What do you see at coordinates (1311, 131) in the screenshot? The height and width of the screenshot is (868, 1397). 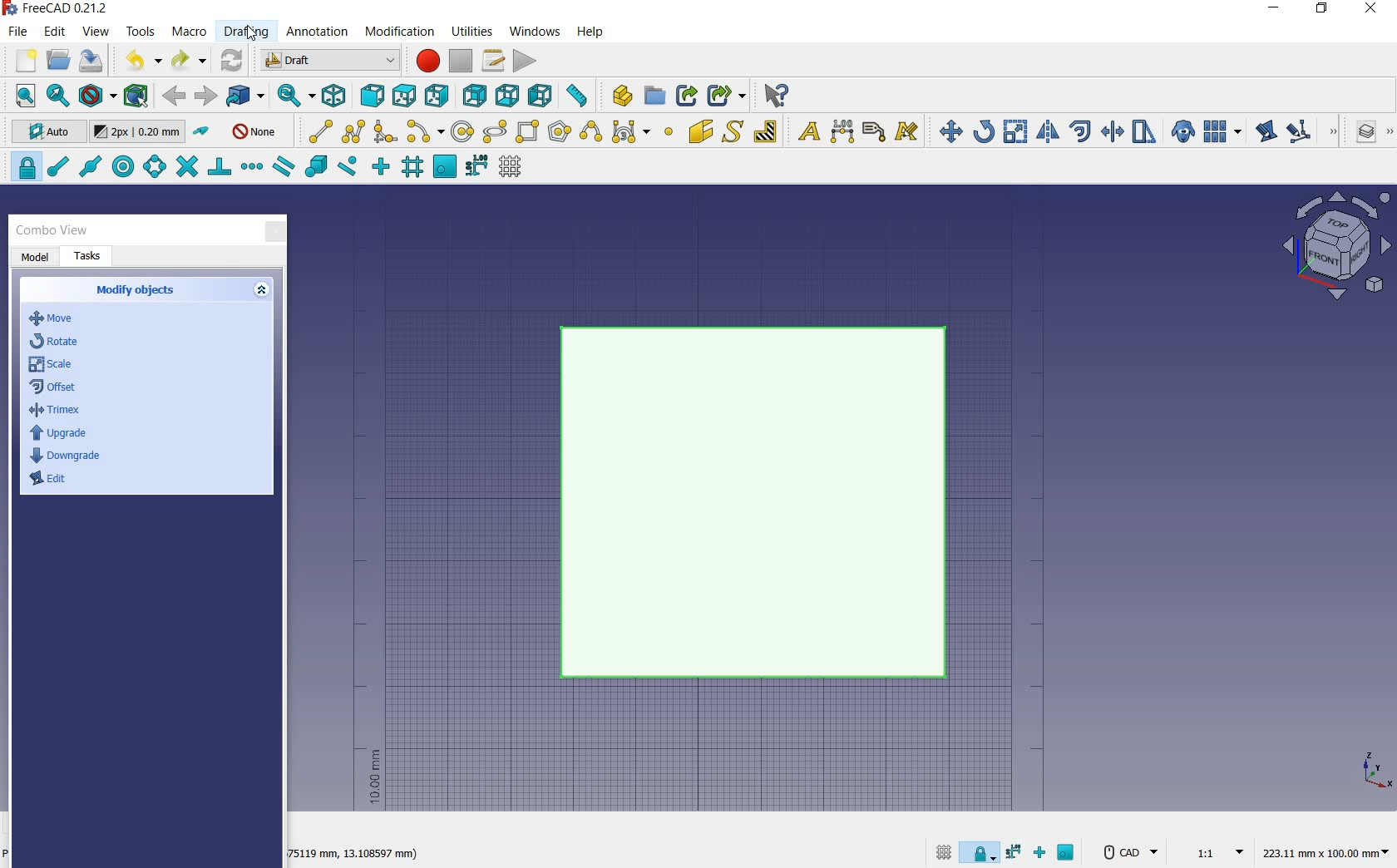 I see `subelement highlight` at bounding box center [1311, 131].